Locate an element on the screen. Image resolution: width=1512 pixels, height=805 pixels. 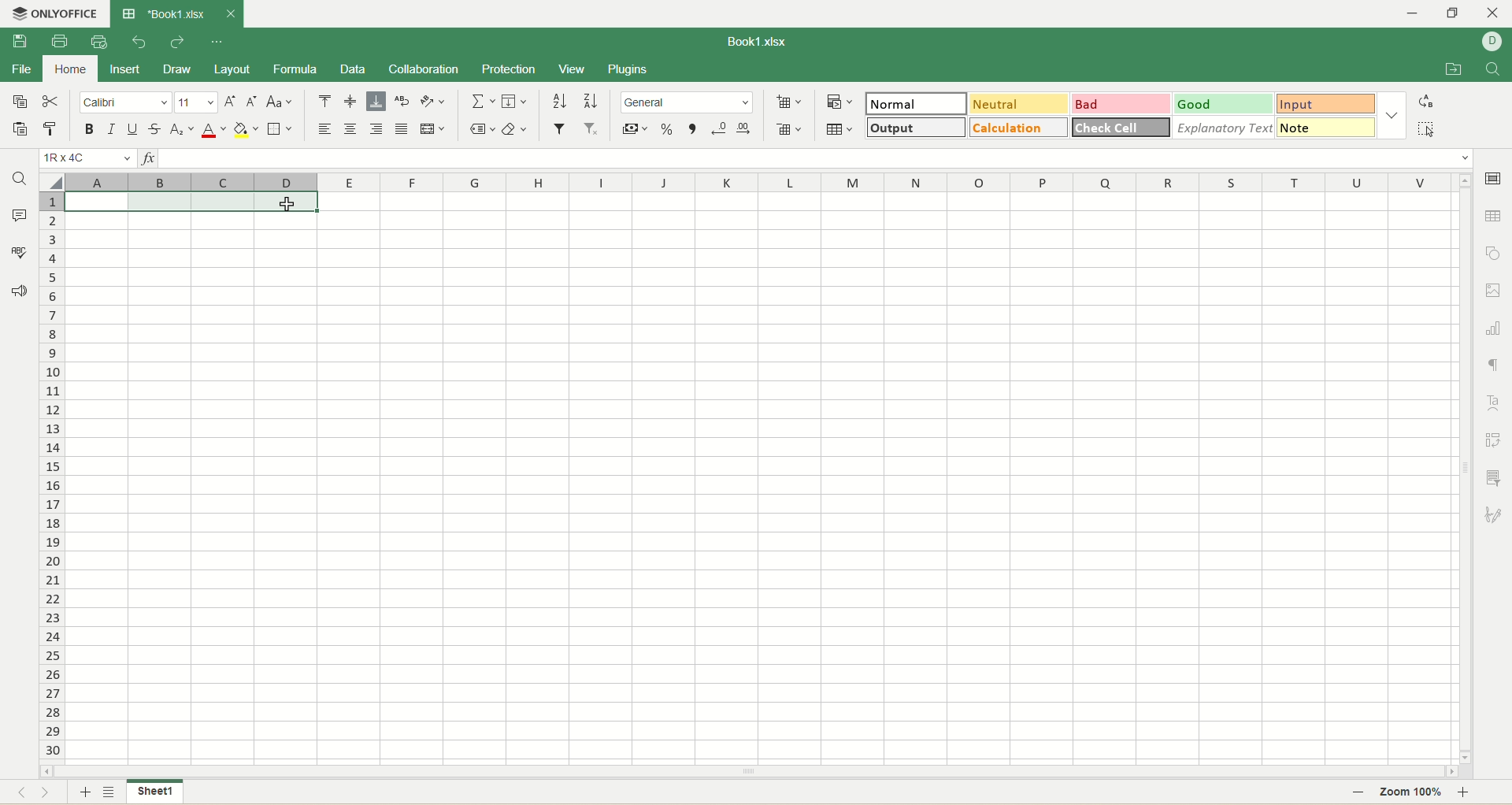
zoom in is located at coordinates (1471, 792).